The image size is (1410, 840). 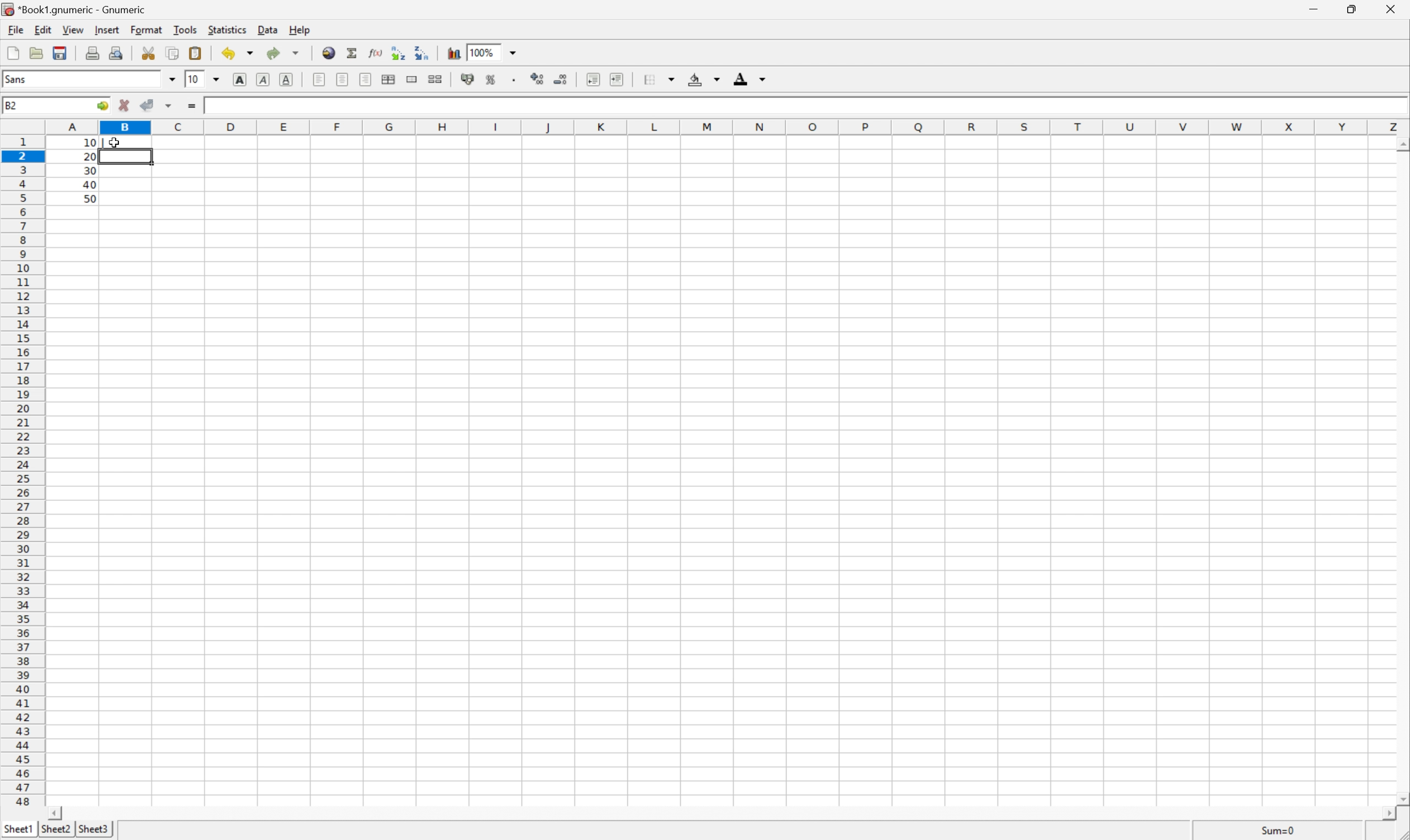 What do you see at coordinates (19, 79) in the screenshot?
I see `Sans` at bounding box center [19, 79].